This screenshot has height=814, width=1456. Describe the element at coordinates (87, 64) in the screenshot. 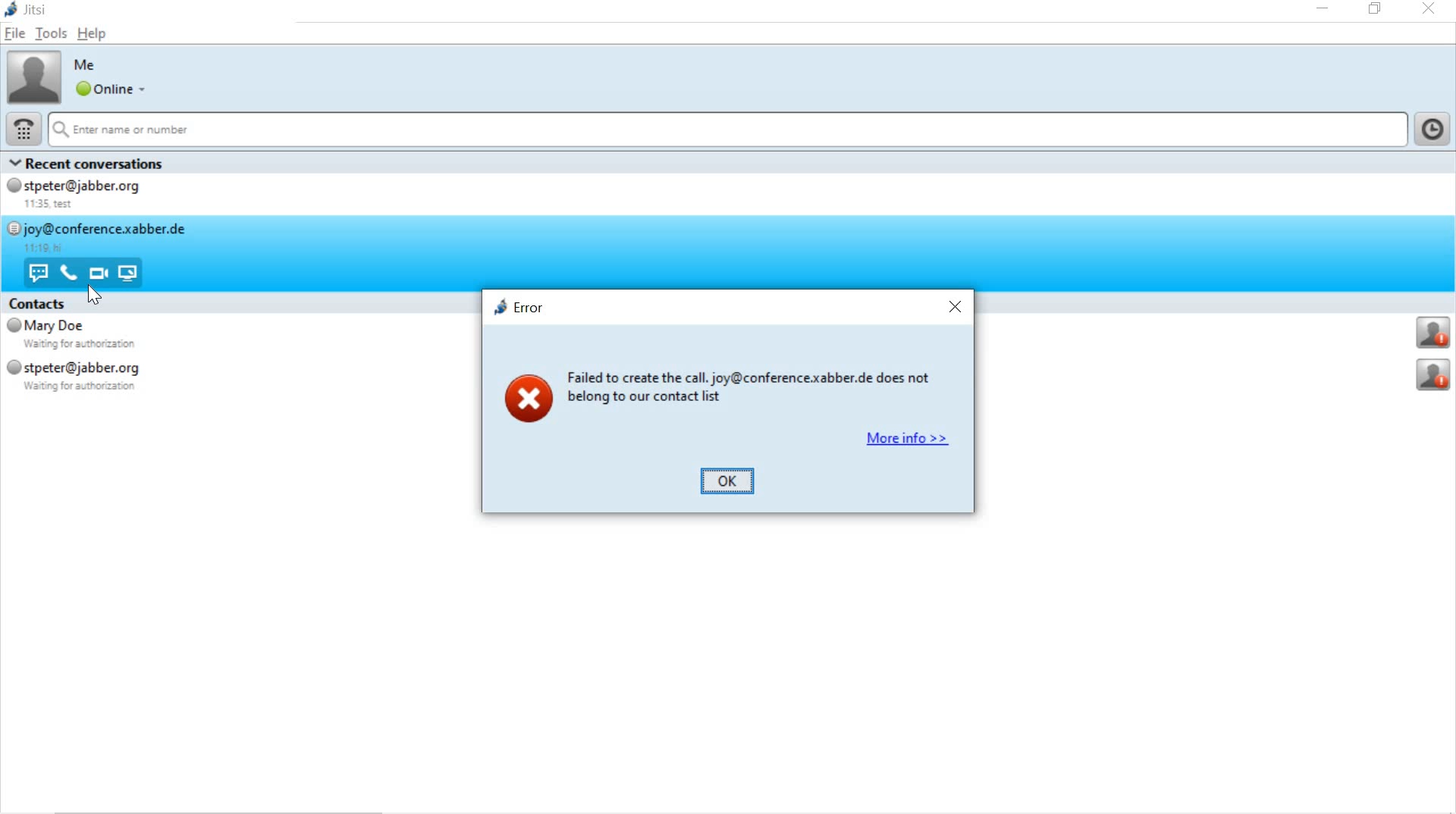

I see `Me` at that location.